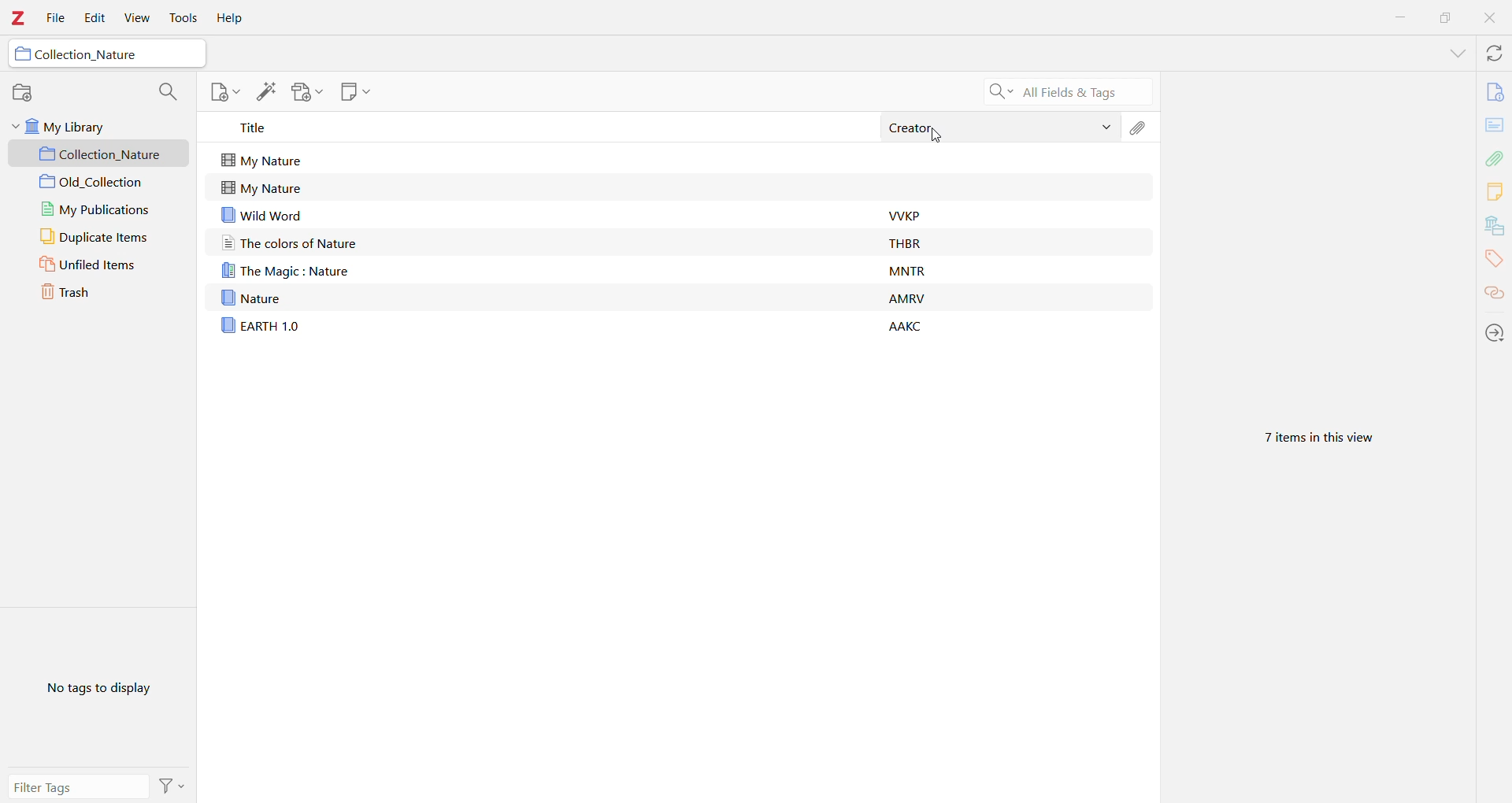  Describe the element at coordinates (138, 17) in the screenshot. I see `View` at that location.